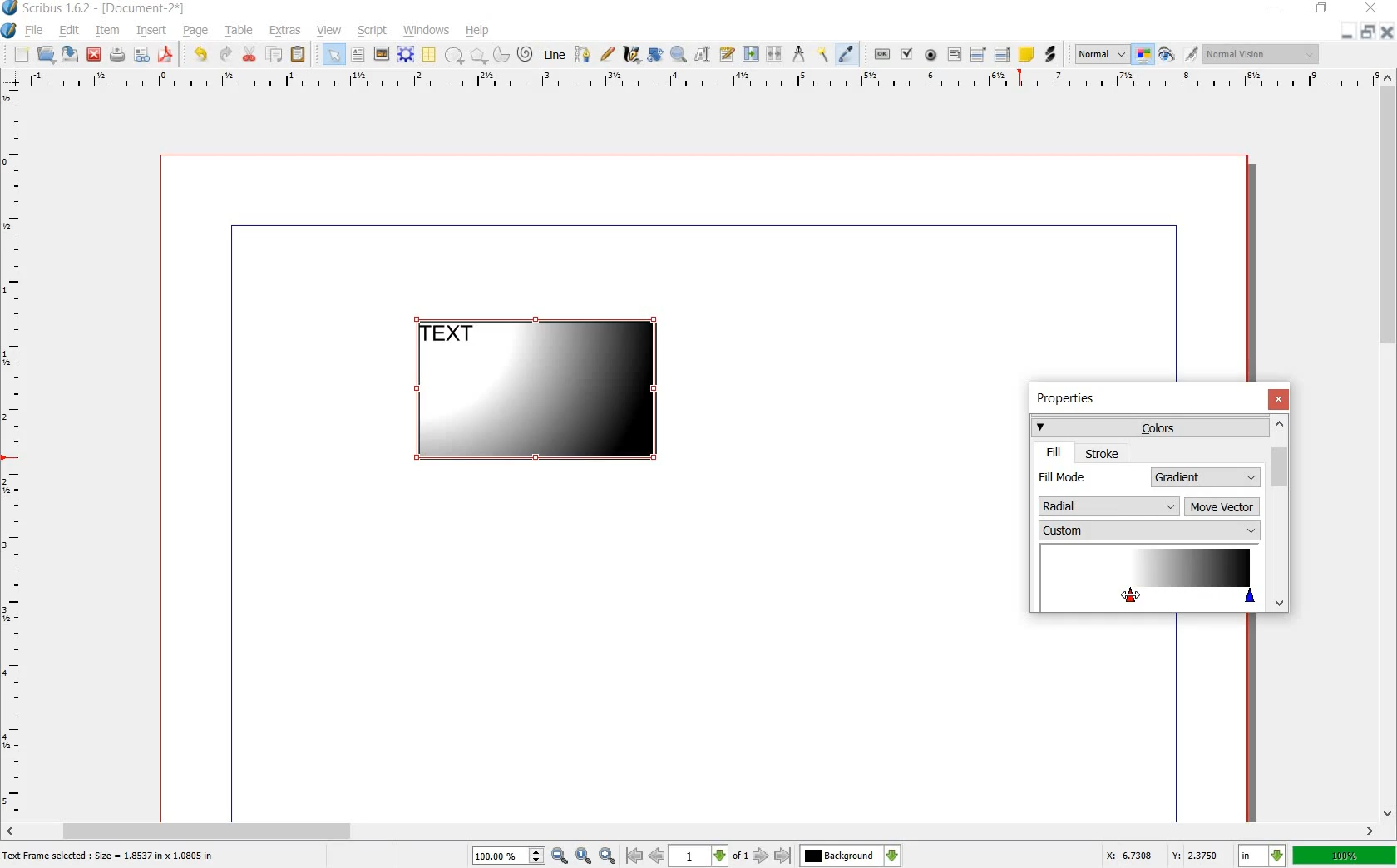 This screenshot has width=1397, height=868. What do you see at coordinates (1162, 855) in the screenshot?
I see `X: 6.7308 Y: 2.3750` at bounding box center [1162, 855].